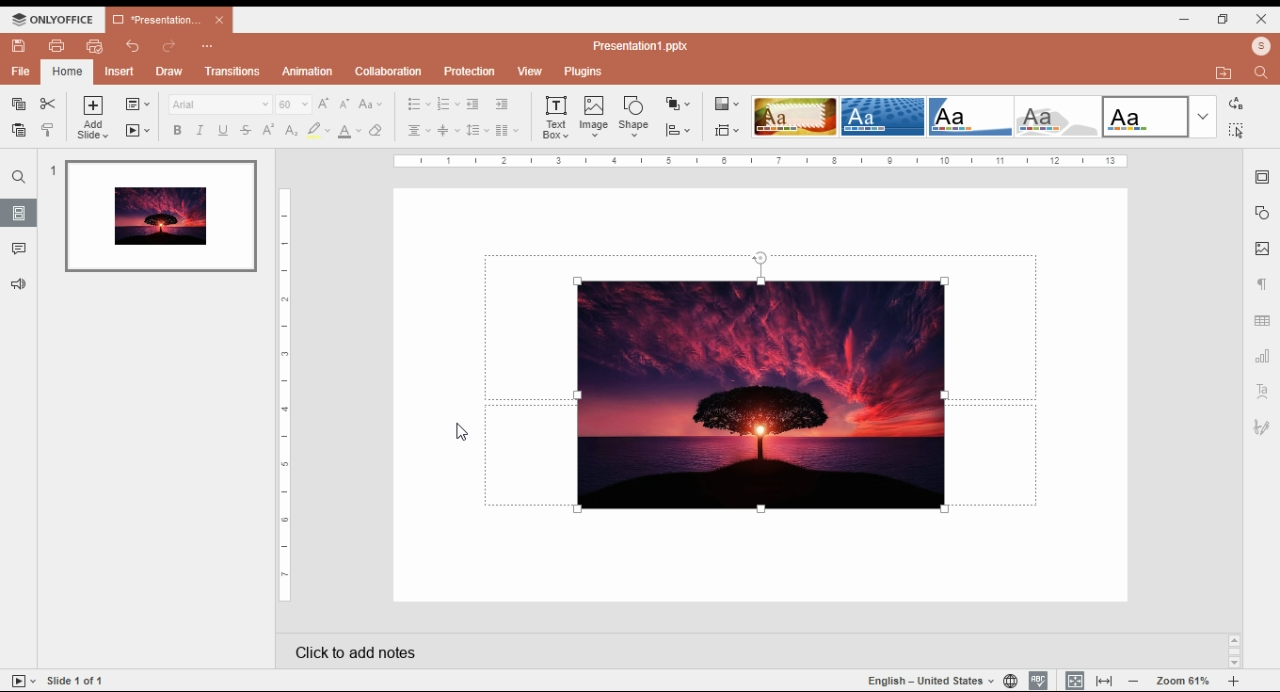 The image size is (1280, 692). I want to click on cut, so click(48, 104).